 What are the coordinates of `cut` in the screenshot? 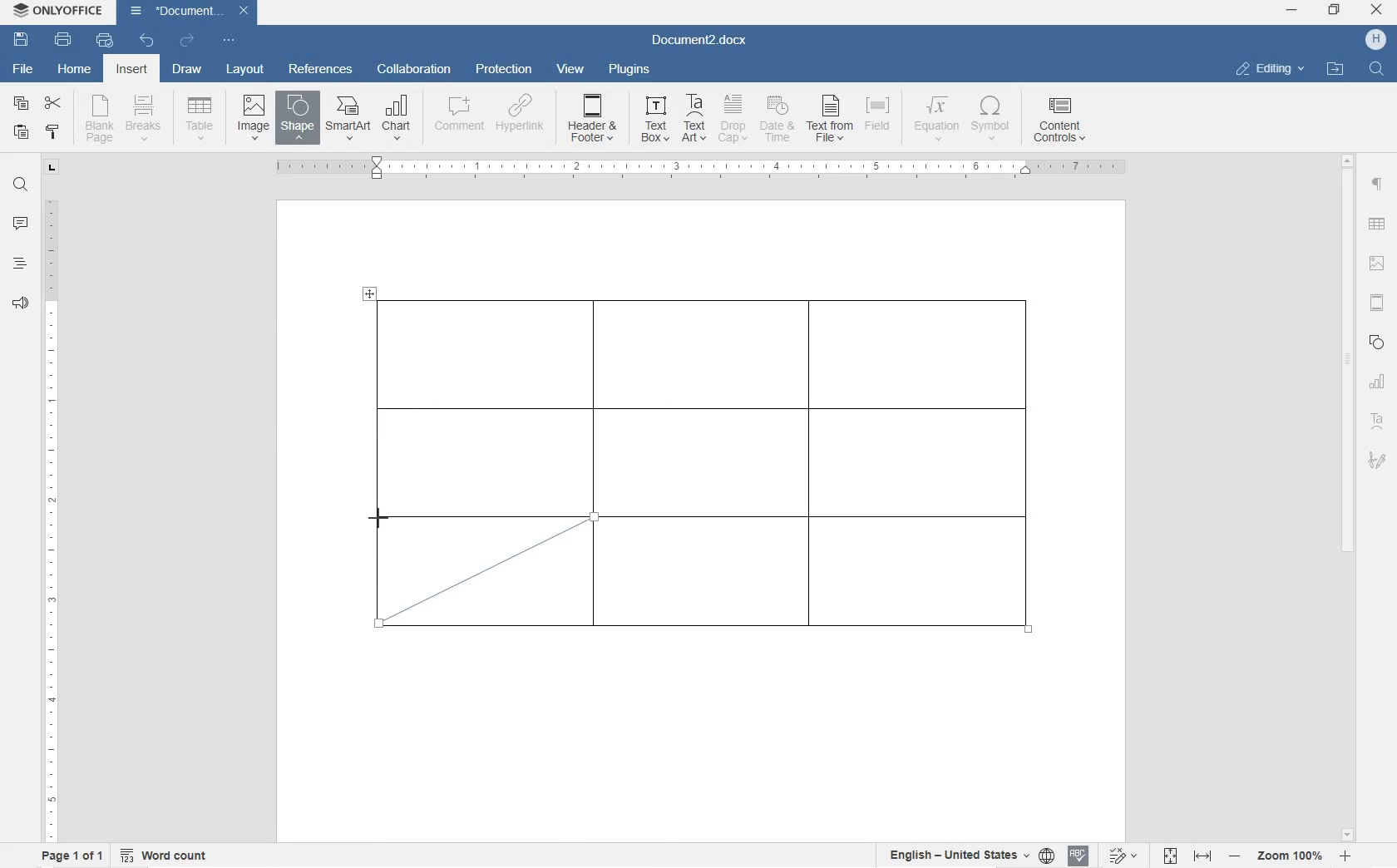 It's located at (52, 104).